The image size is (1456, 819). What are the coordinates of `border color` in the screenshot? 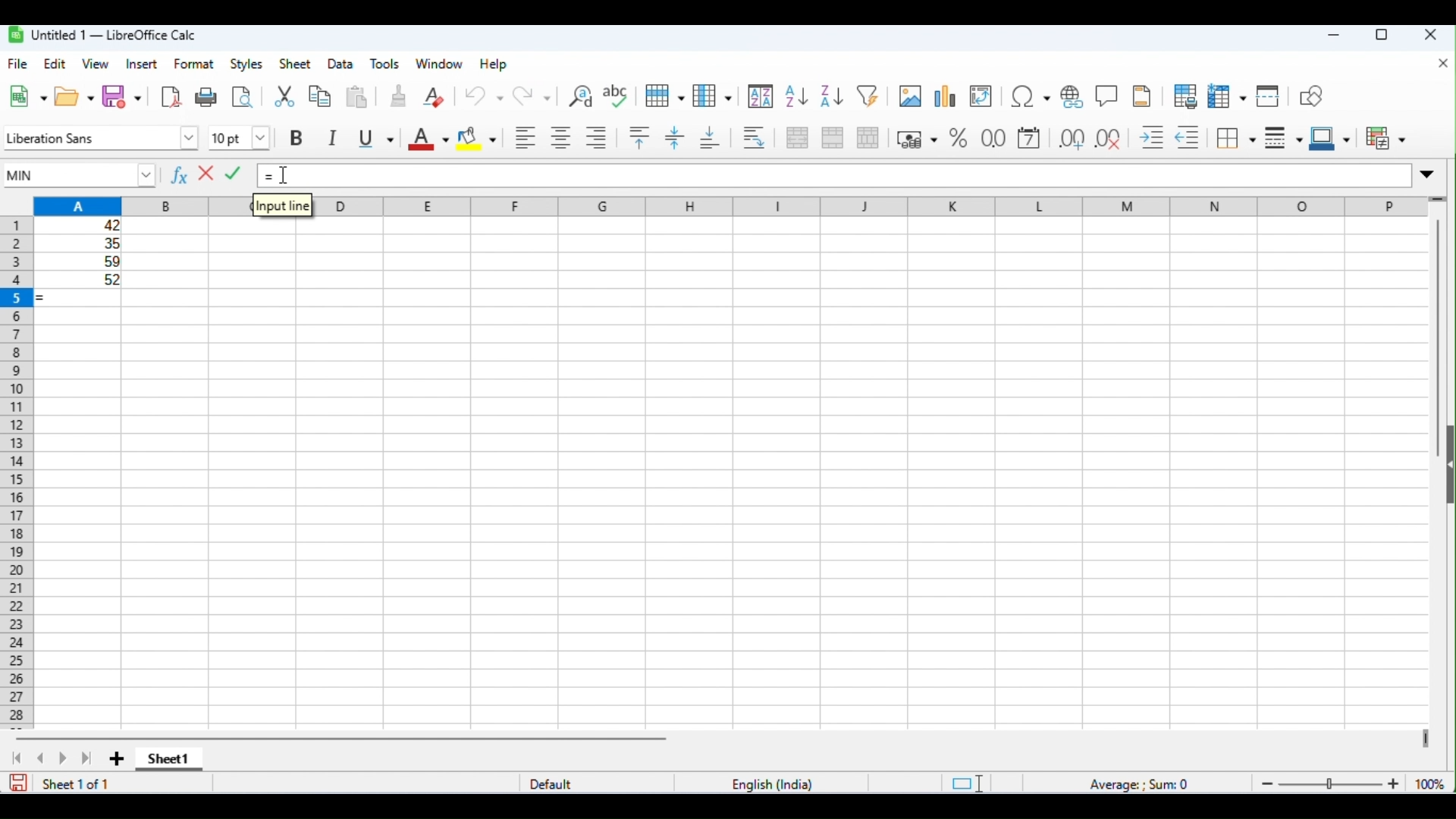 It's located at (1329, 140).